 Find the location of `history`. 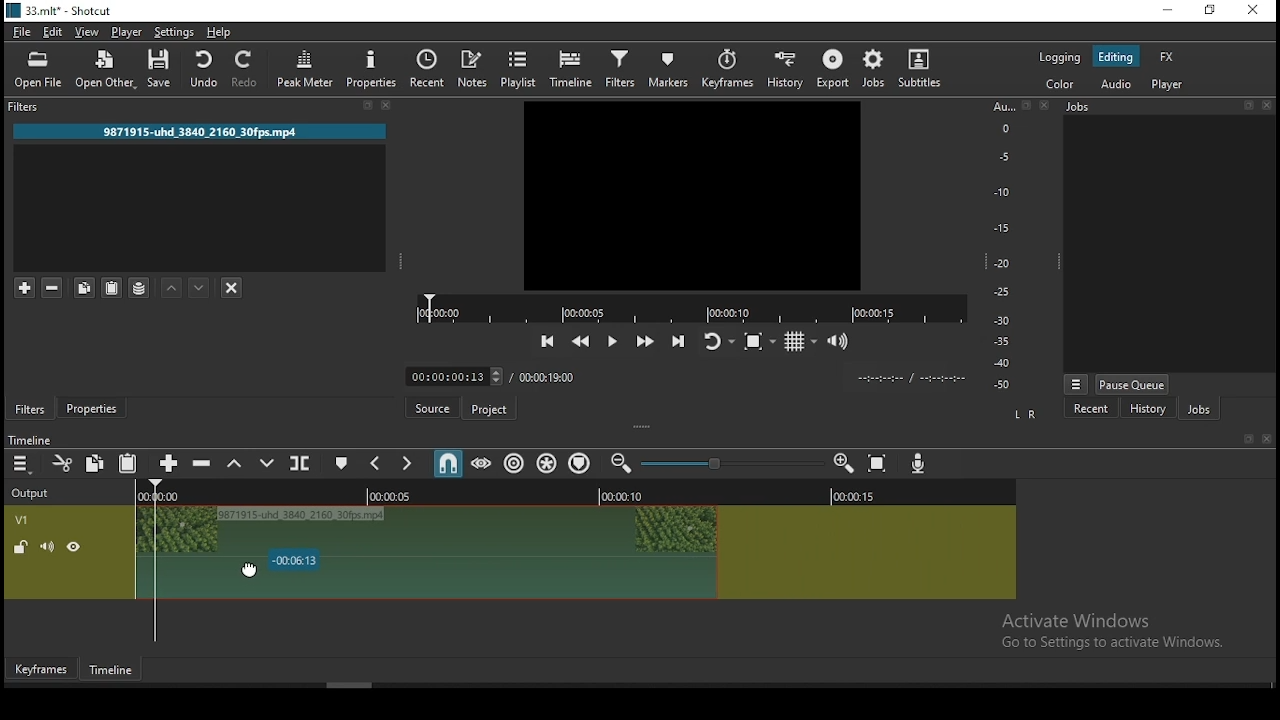

history is located at coordinates (784, 69).